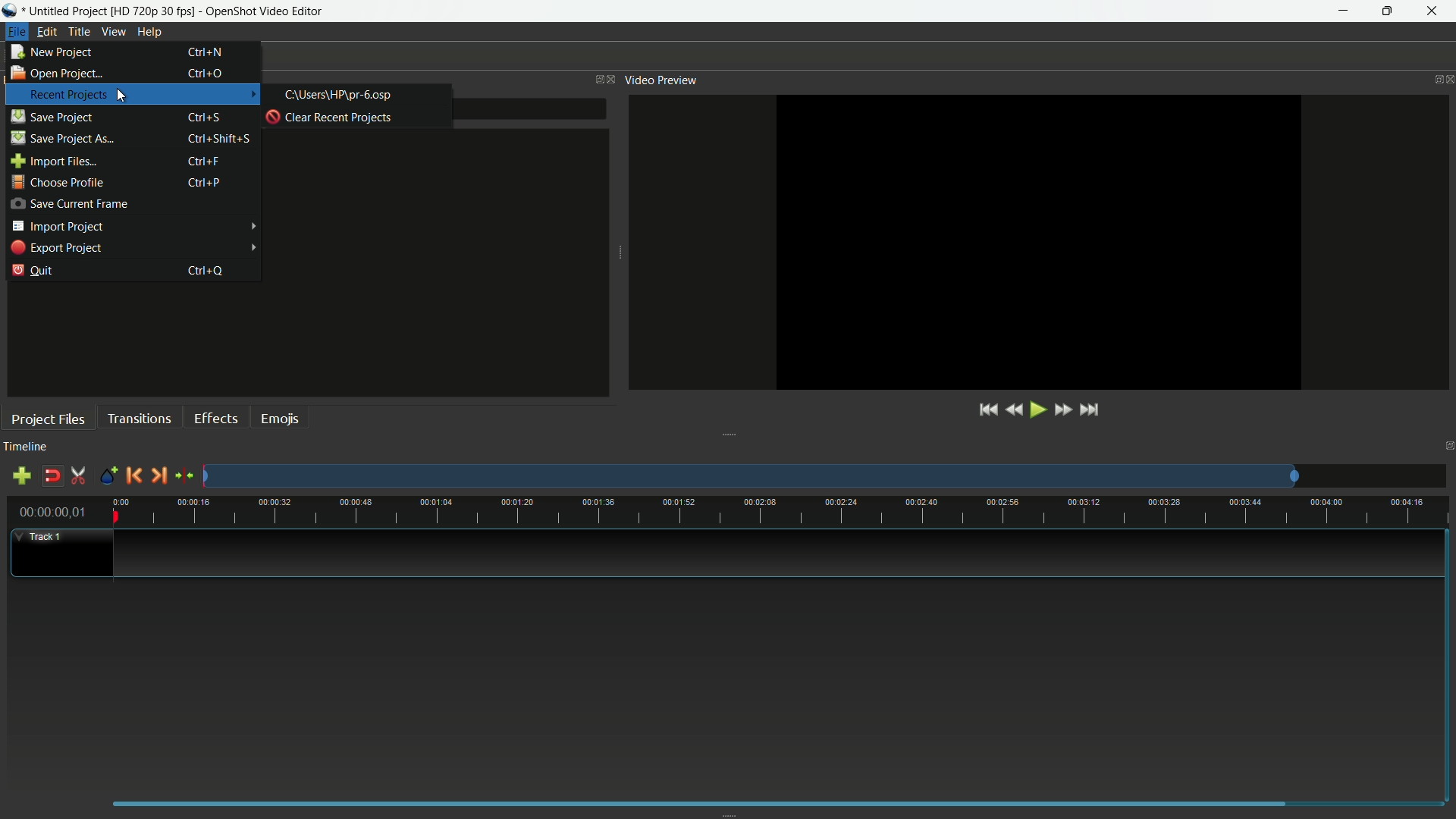  I want to click on previous marker, so click(131, 475).